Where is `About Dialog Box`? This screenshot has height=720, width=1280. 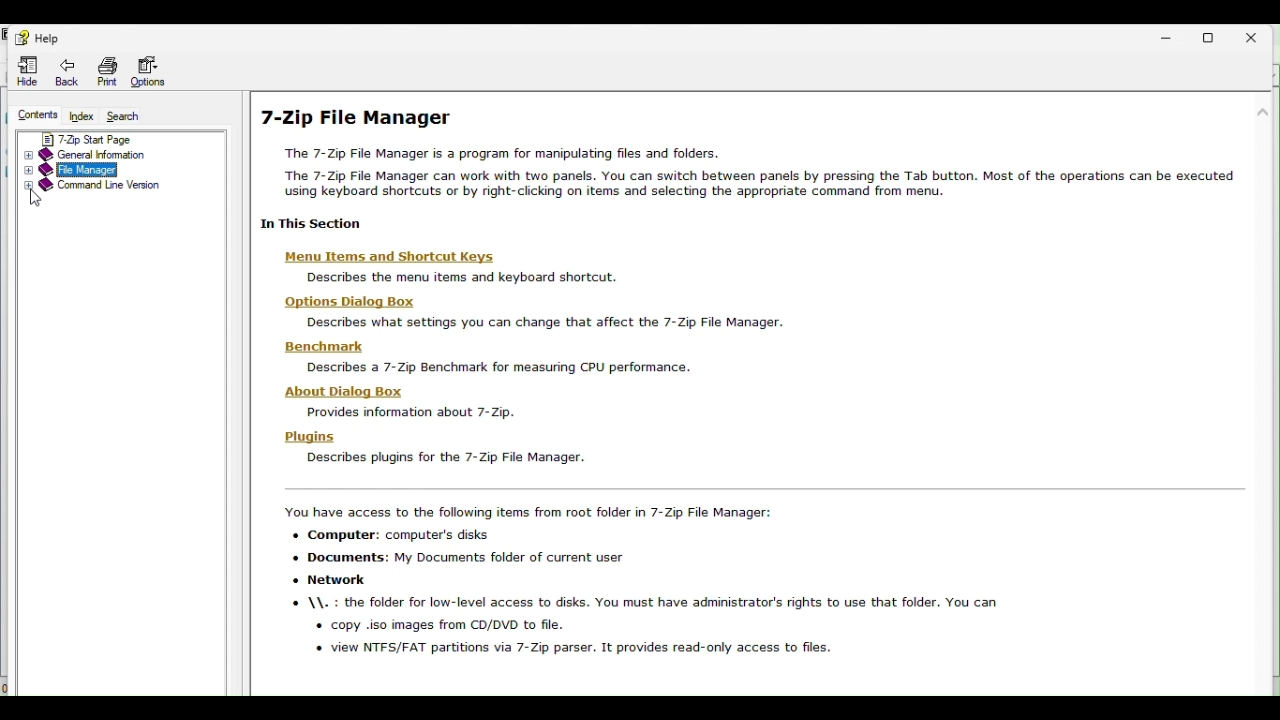
About Dialog Box is located at coordinates (346, 392).